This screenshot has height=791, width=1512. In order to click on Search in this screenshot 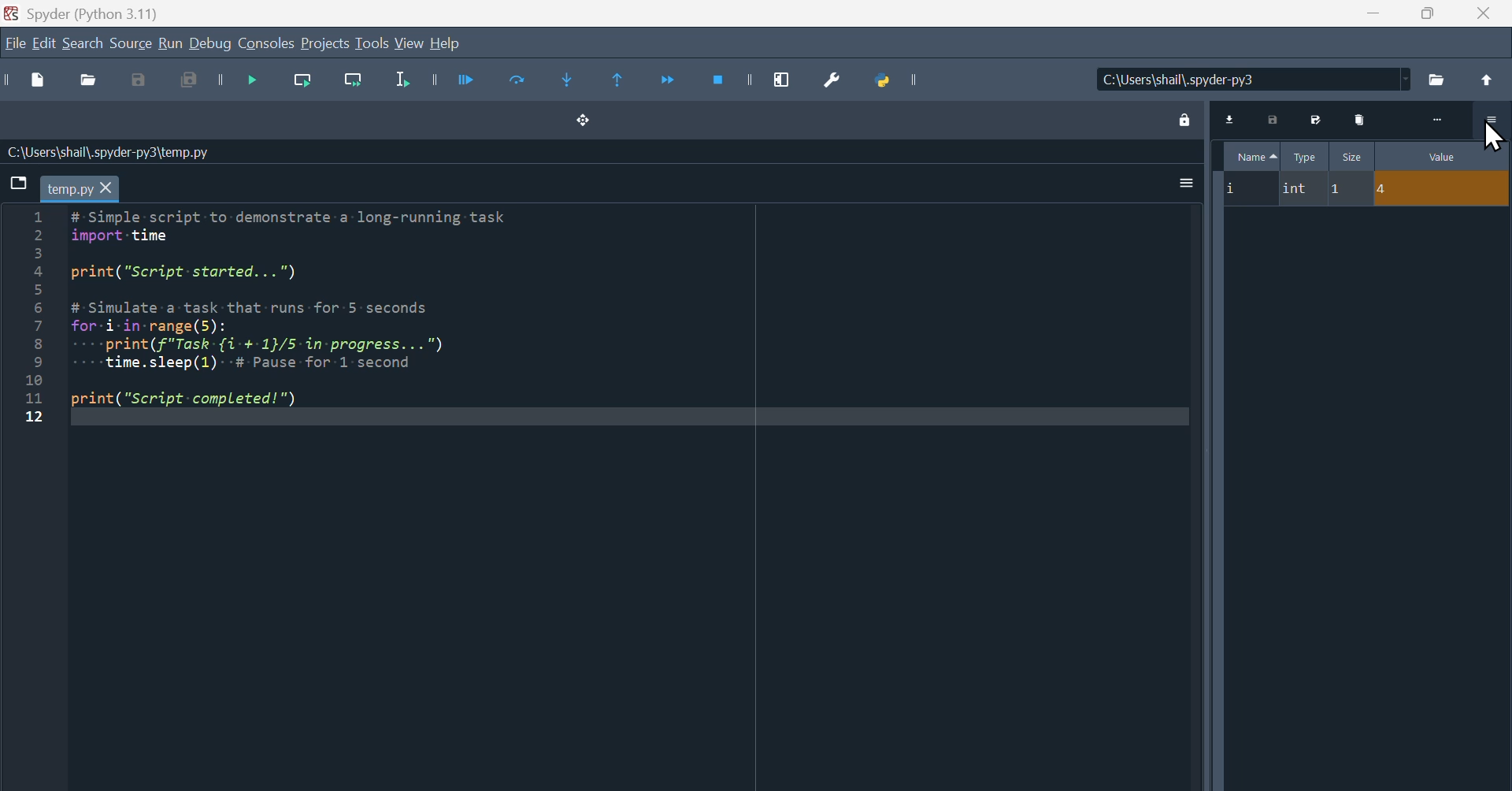, I will do `click(83, 42)`.